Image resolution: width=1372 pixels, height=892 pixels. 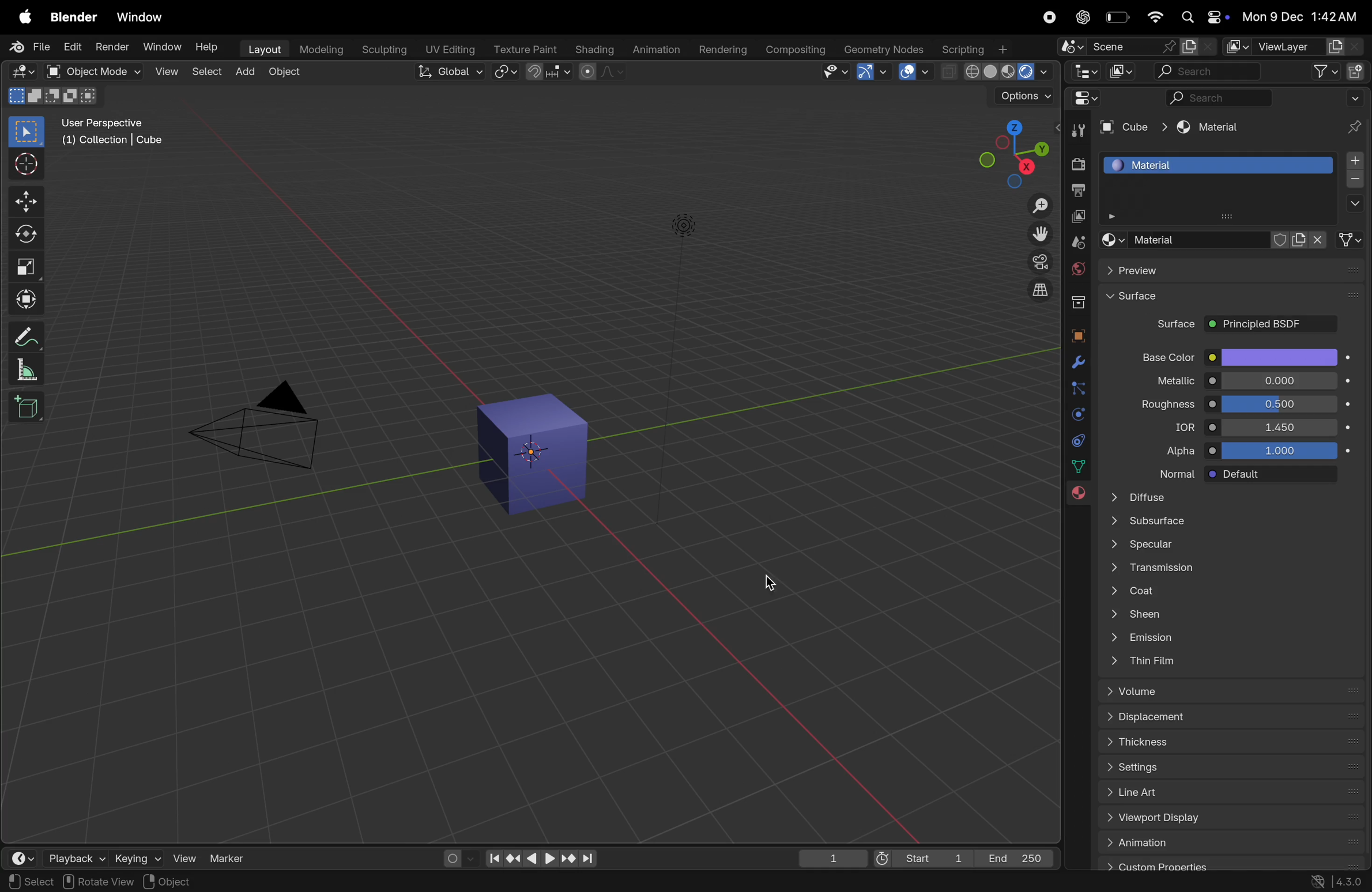 What do you see at coordinates (244, 73) in the screenshot?
I see `add` at bounding box center [244, 73].